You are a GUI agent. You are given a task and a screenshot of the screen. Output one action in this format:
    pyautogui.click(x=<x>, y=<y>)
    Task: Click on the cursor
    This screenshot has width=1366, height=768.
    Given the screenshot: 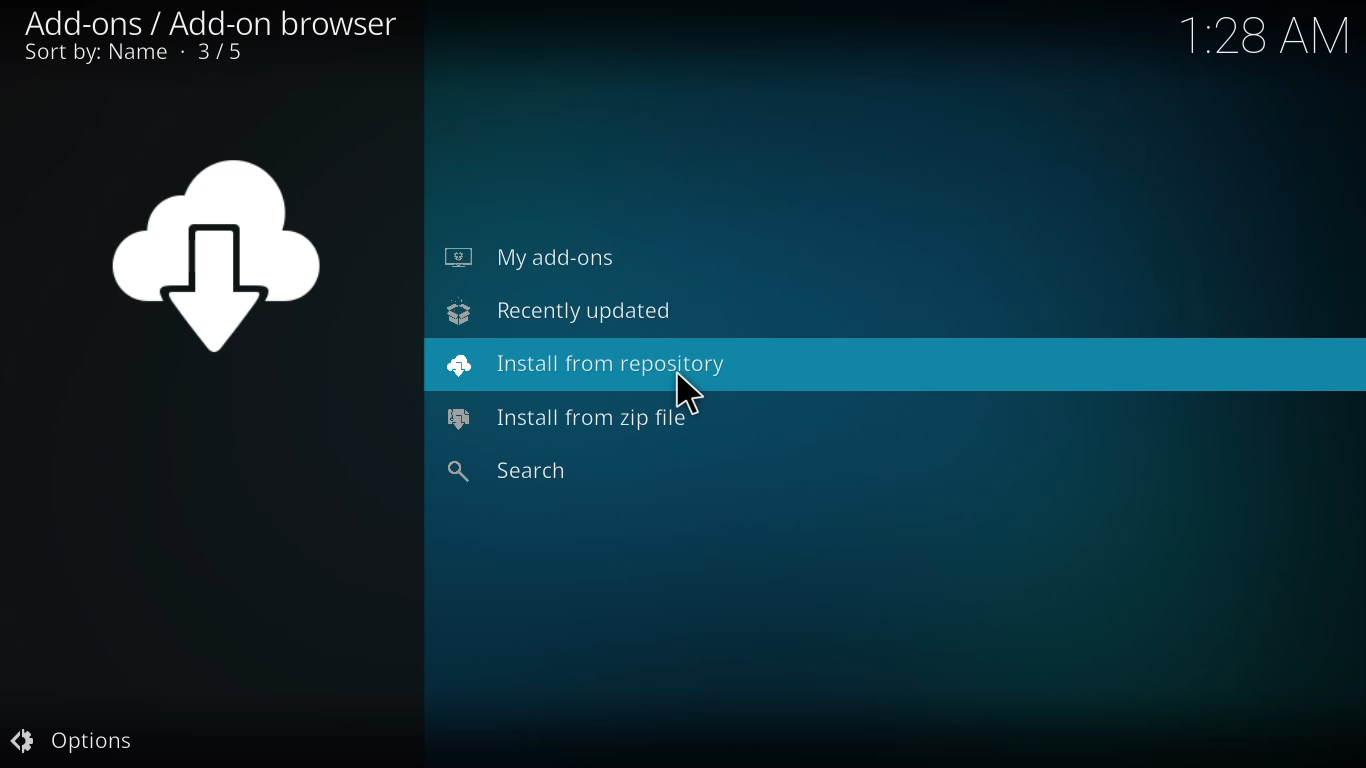 What is the action you would take?
    pyautogui.click(x=688, y=390)
    